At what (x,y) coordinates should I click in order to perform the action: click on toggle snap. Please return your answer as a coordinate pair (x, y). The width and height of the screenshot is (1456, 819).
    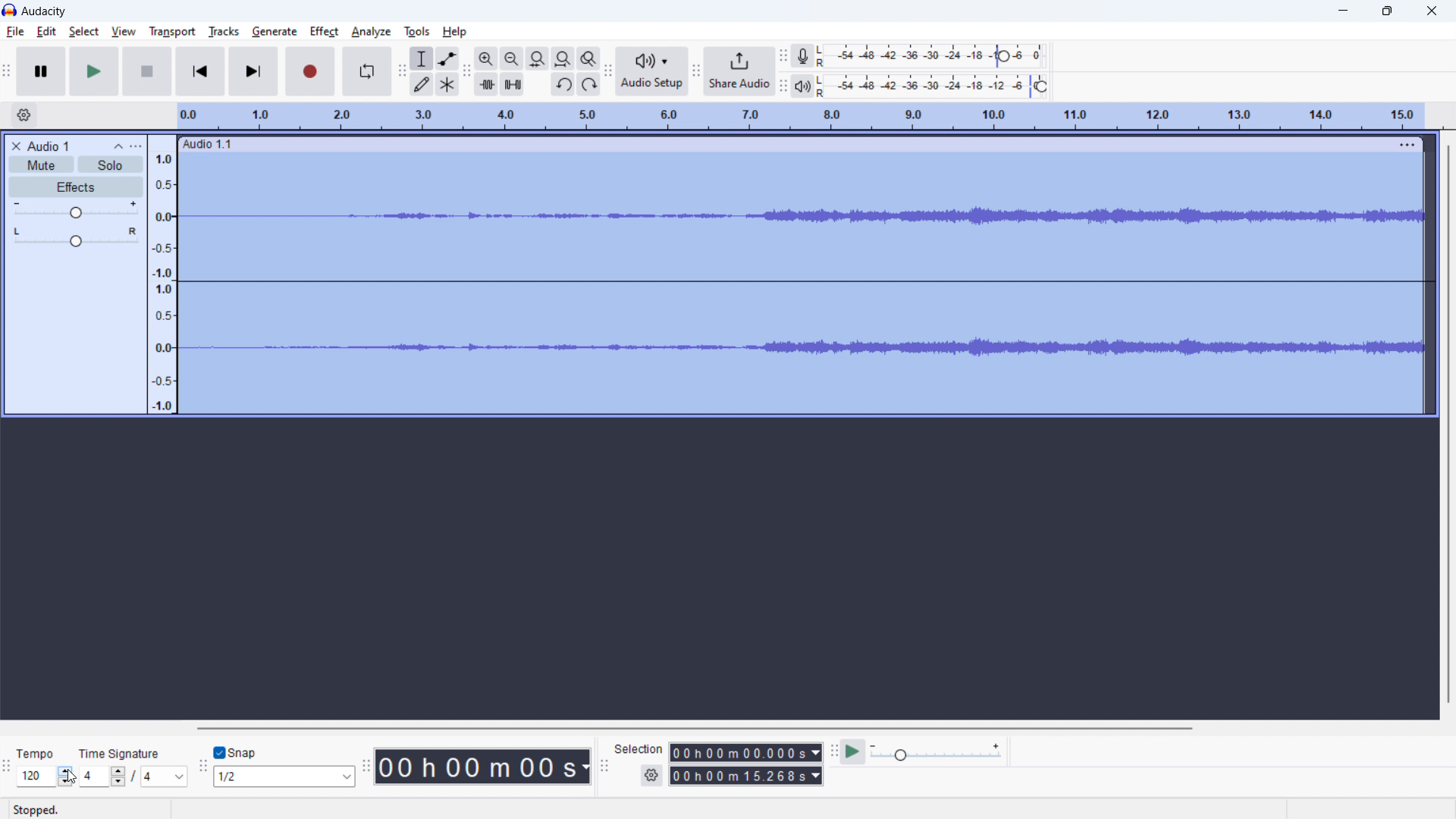
    Looking at the image, I should click on (234, 752).